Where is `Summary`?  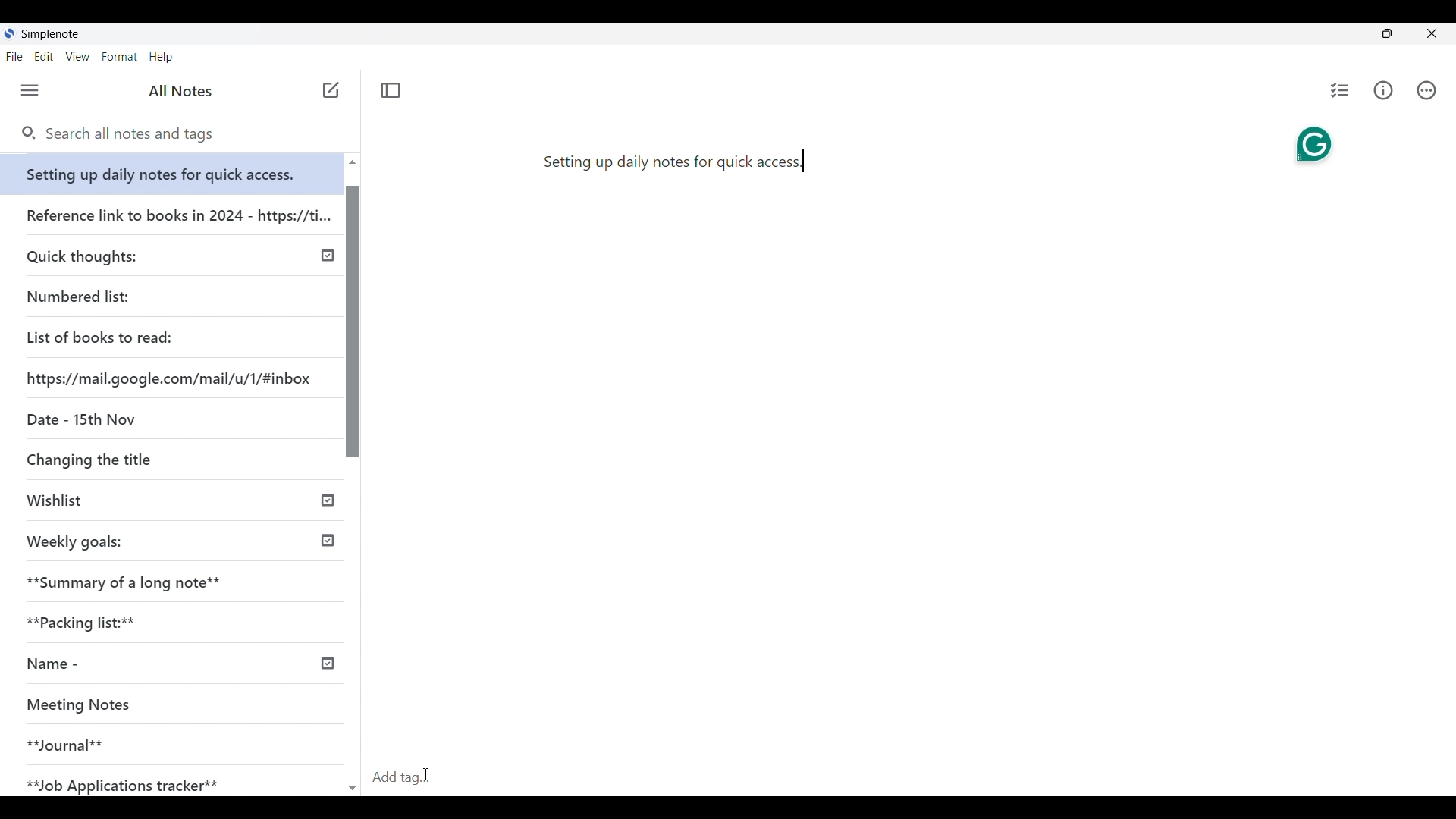
Summary is located at coordinates (181, 578).